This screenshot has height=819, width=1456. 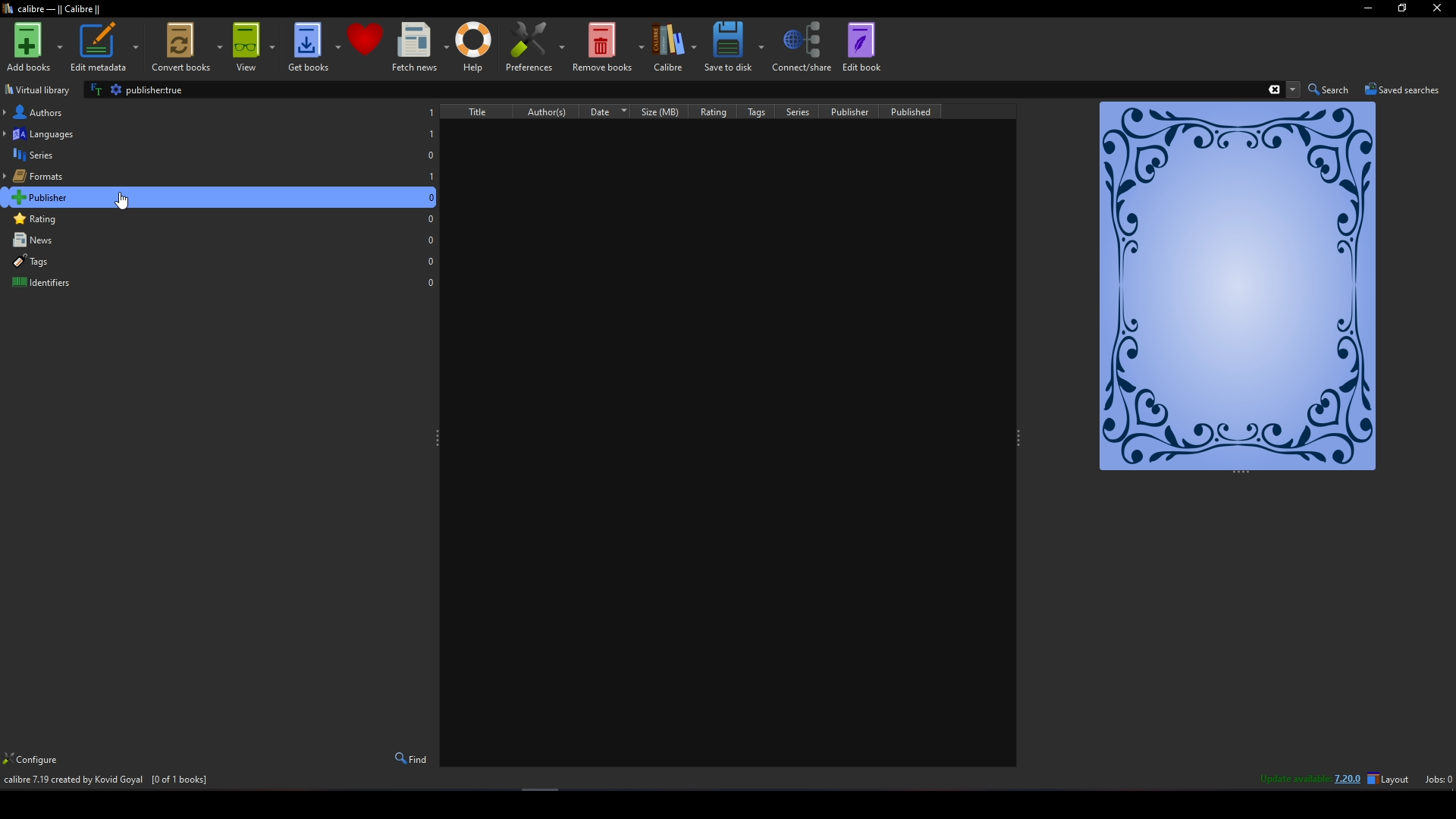 What do you see at coordinates (620, 111) in the screenshot?
I see `Date` at bounding box center [620, 111].